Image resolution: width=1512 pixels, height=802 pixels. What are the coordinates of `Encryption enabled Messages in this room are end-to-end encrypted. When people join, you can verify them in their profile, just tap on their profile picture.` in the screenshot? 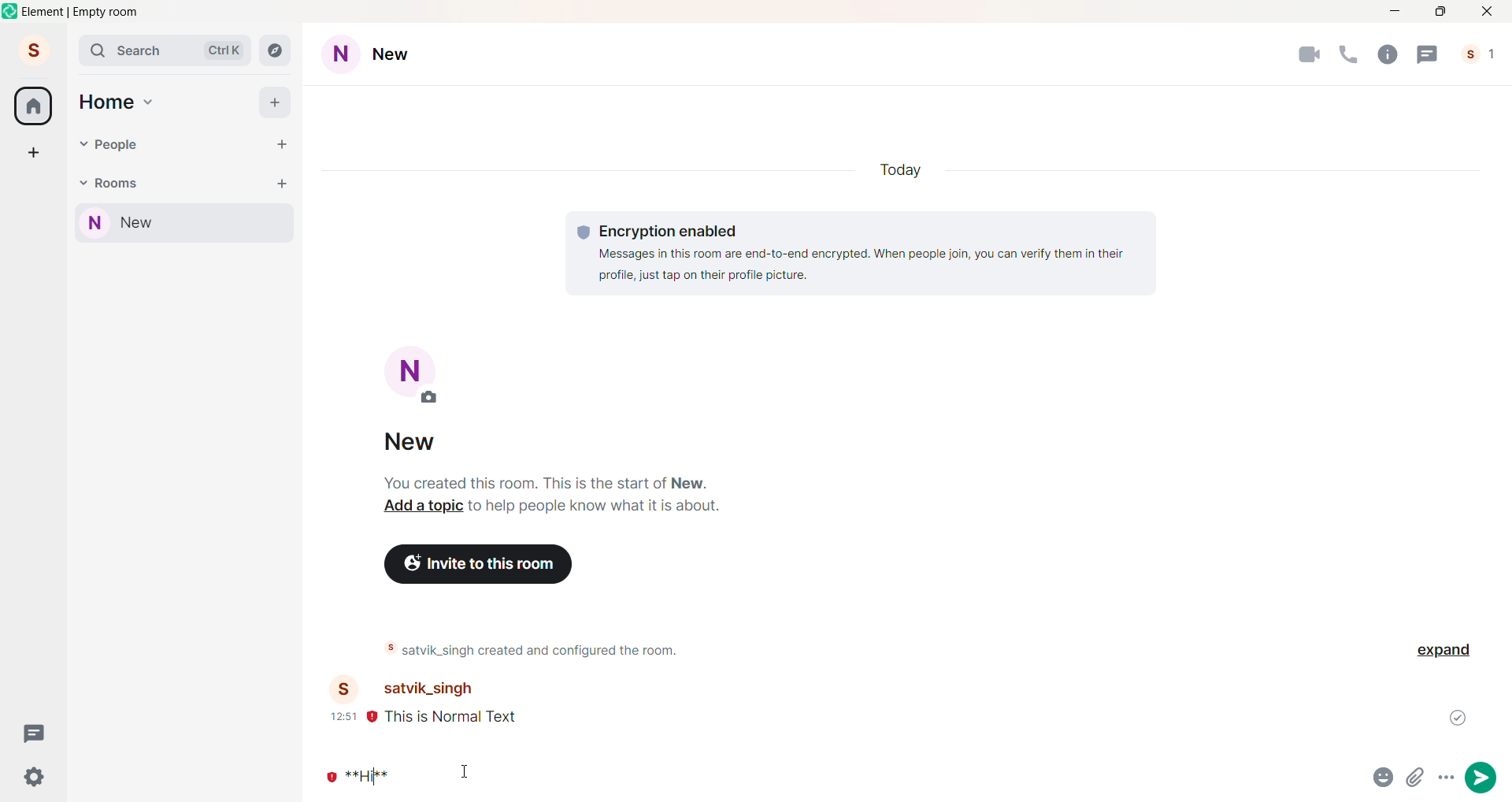 It's located at (862, 251).